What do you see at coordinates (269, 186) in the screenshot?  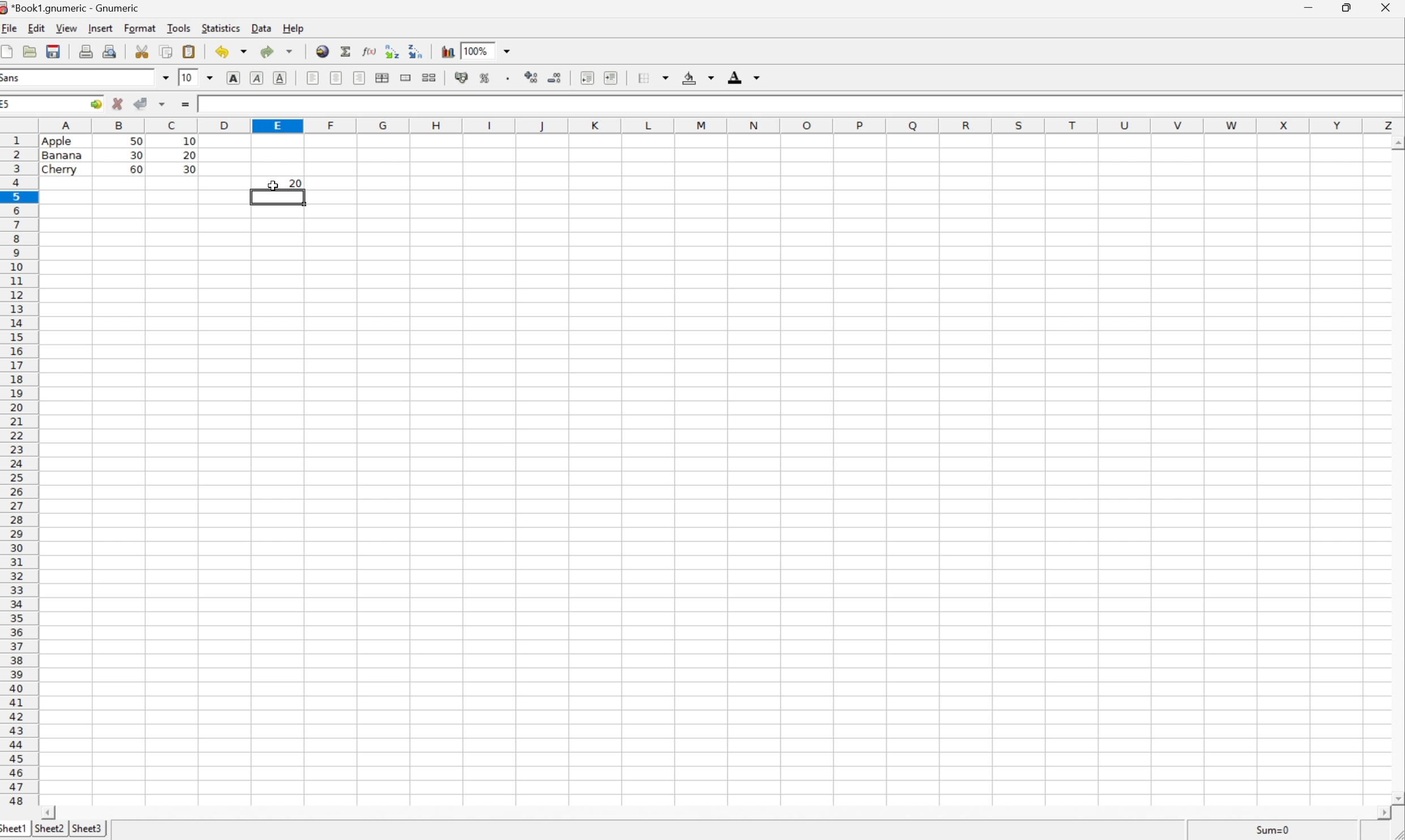 I see `cursor` at bounding box center [269, 186].